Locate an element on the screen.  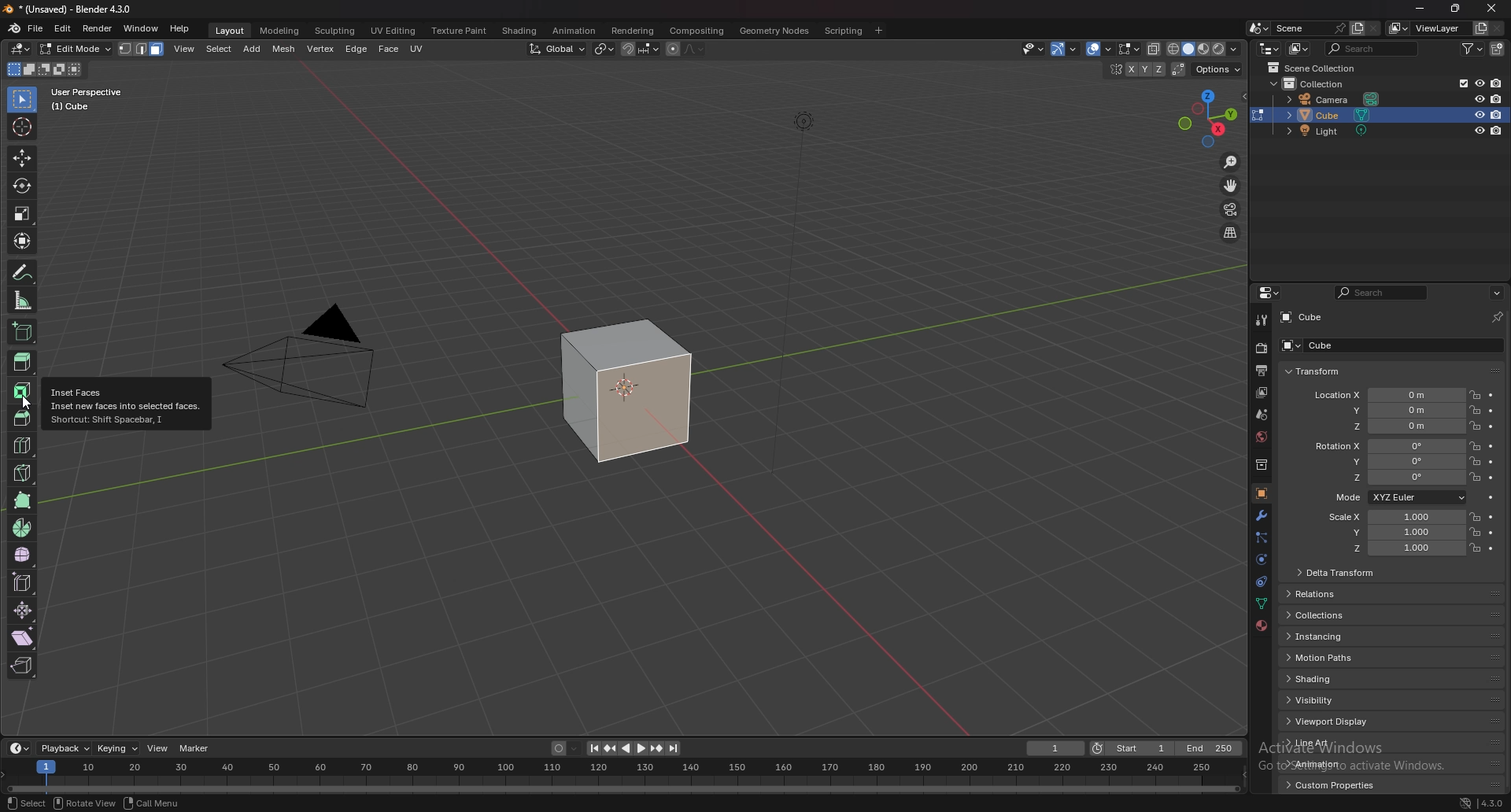
scene is located at coordinates (1309, 28).